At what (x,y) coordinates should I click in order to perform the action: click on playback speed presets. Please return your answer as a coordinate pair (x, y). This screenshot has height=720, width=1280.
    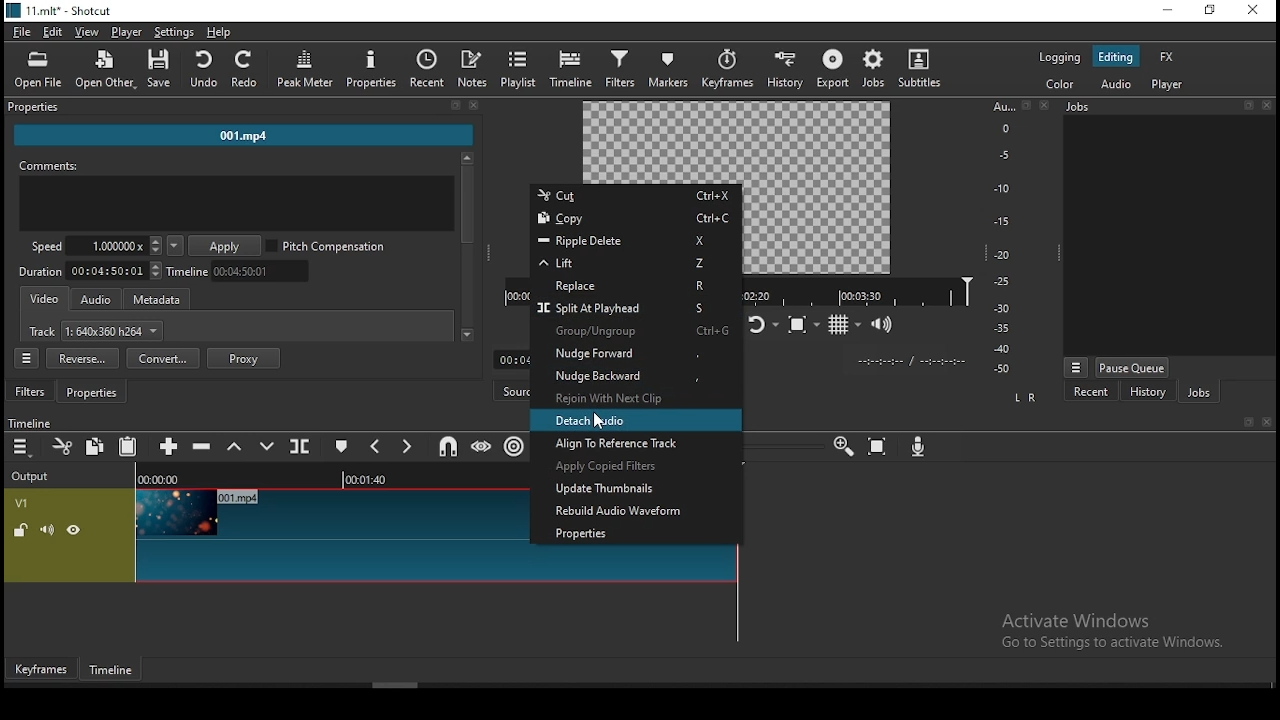
    Looking at the image, I should click on (174, 247).